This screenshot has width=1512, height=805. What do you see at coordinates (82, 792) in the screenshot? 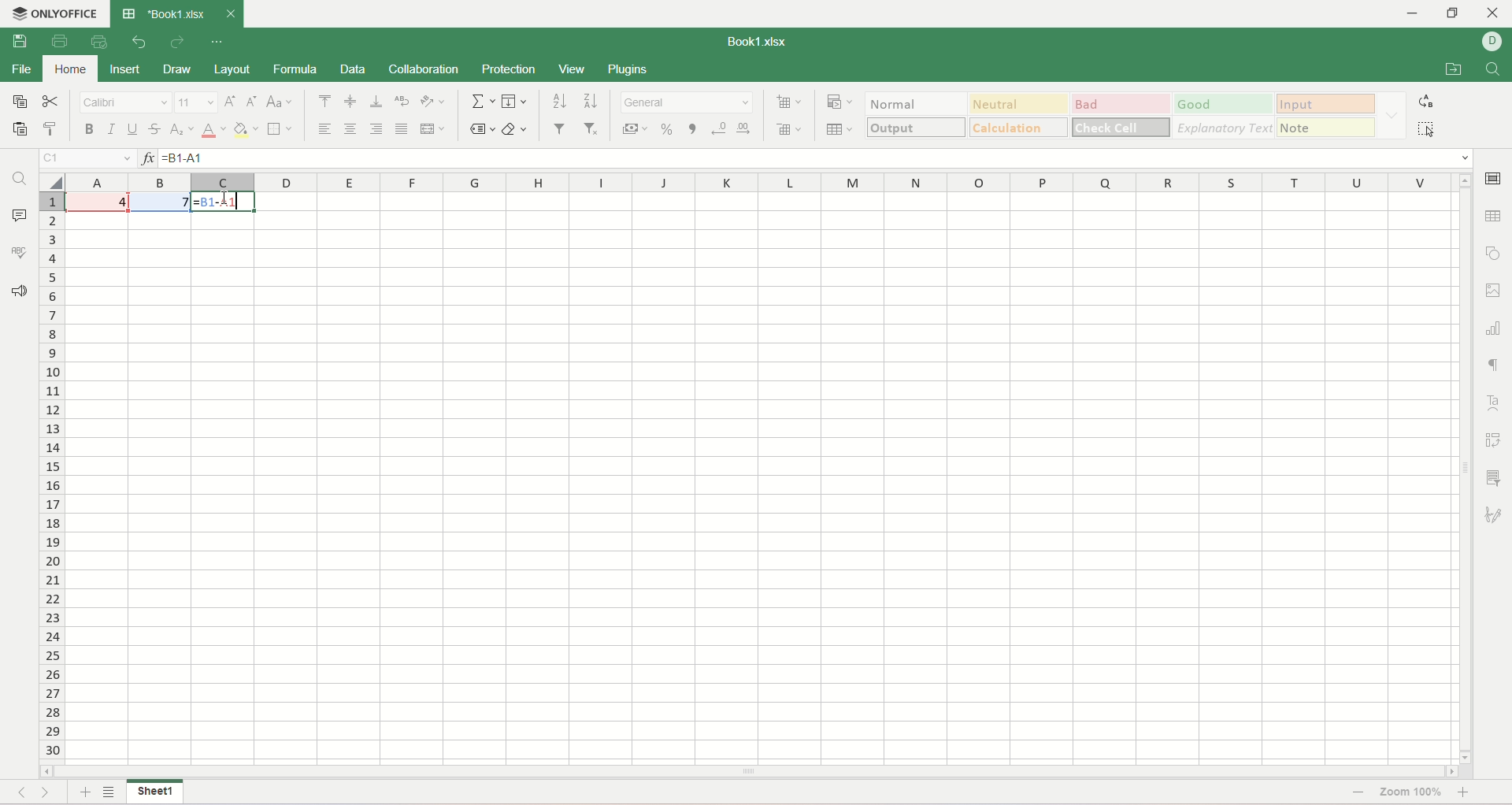
I see `add sheet` at bounding box center [82, 792].